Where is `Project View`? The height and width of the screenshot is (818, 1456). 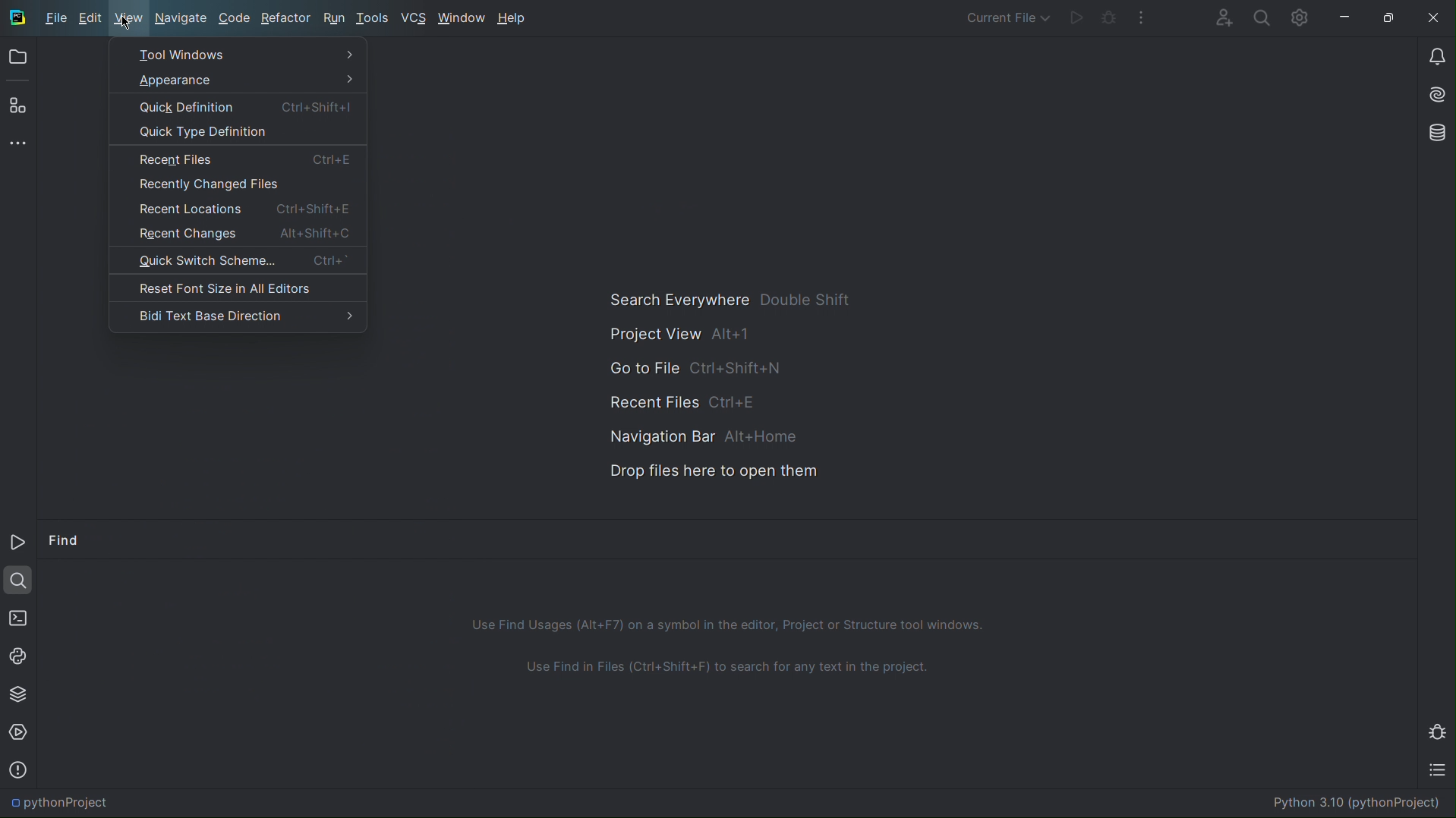 Project View is located at coordinates (685, 335).